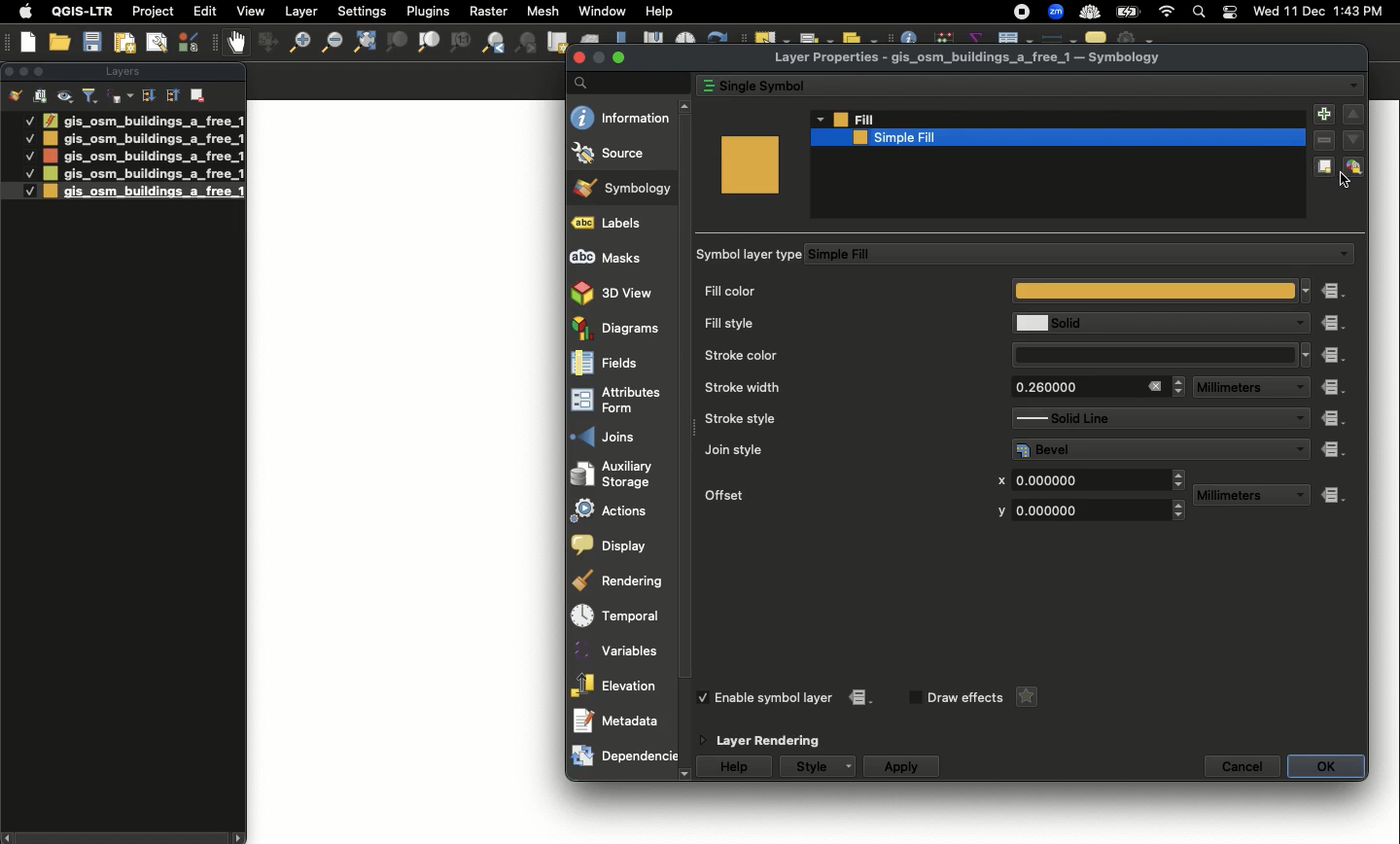 This screenshot has width=1400, height=844. Describe the element at coordinates (900, 765) in the screenshot. I see `Apply` at that location.